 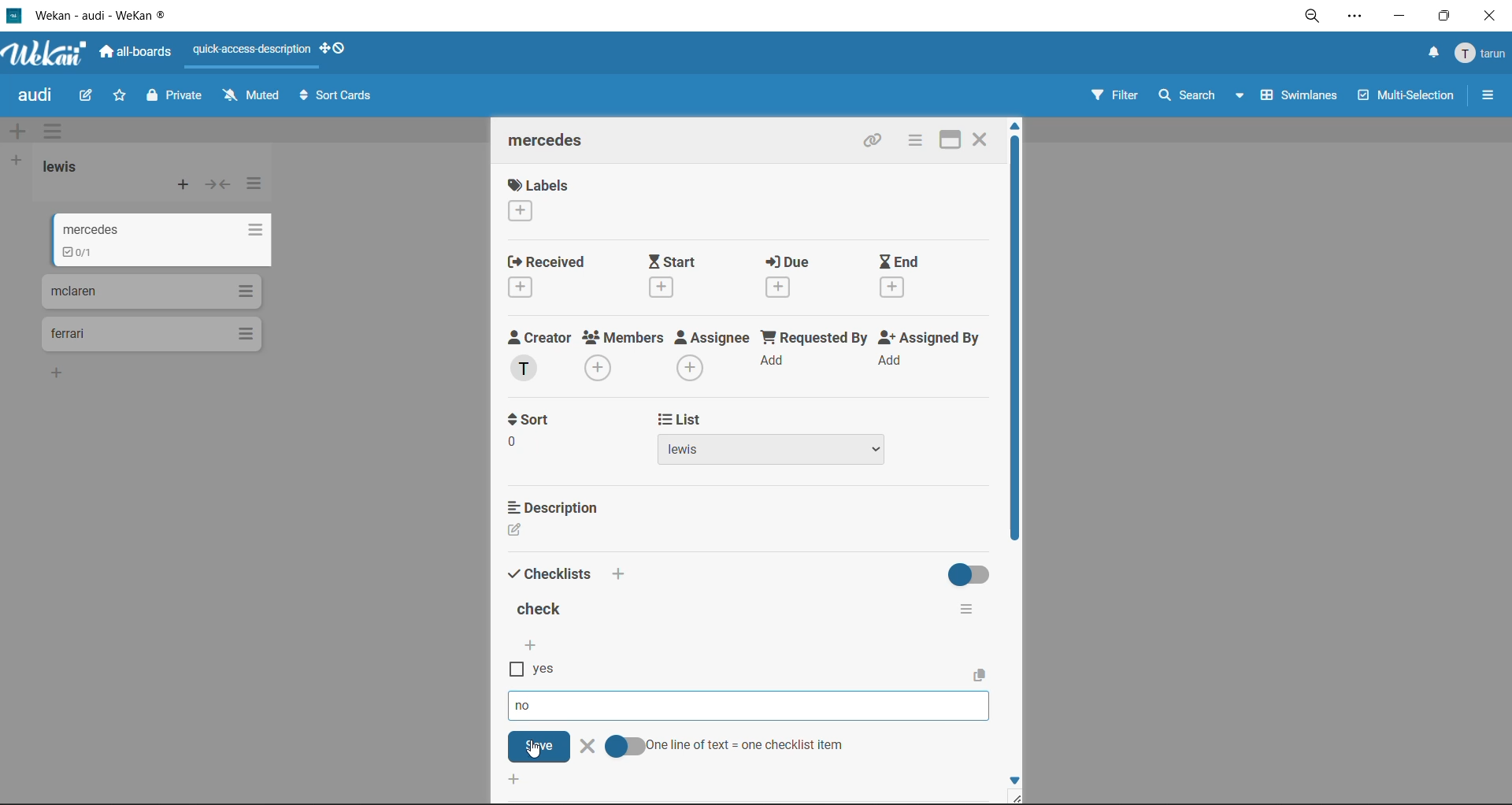 I want to click on checklist option, so click(x=529, y=707).